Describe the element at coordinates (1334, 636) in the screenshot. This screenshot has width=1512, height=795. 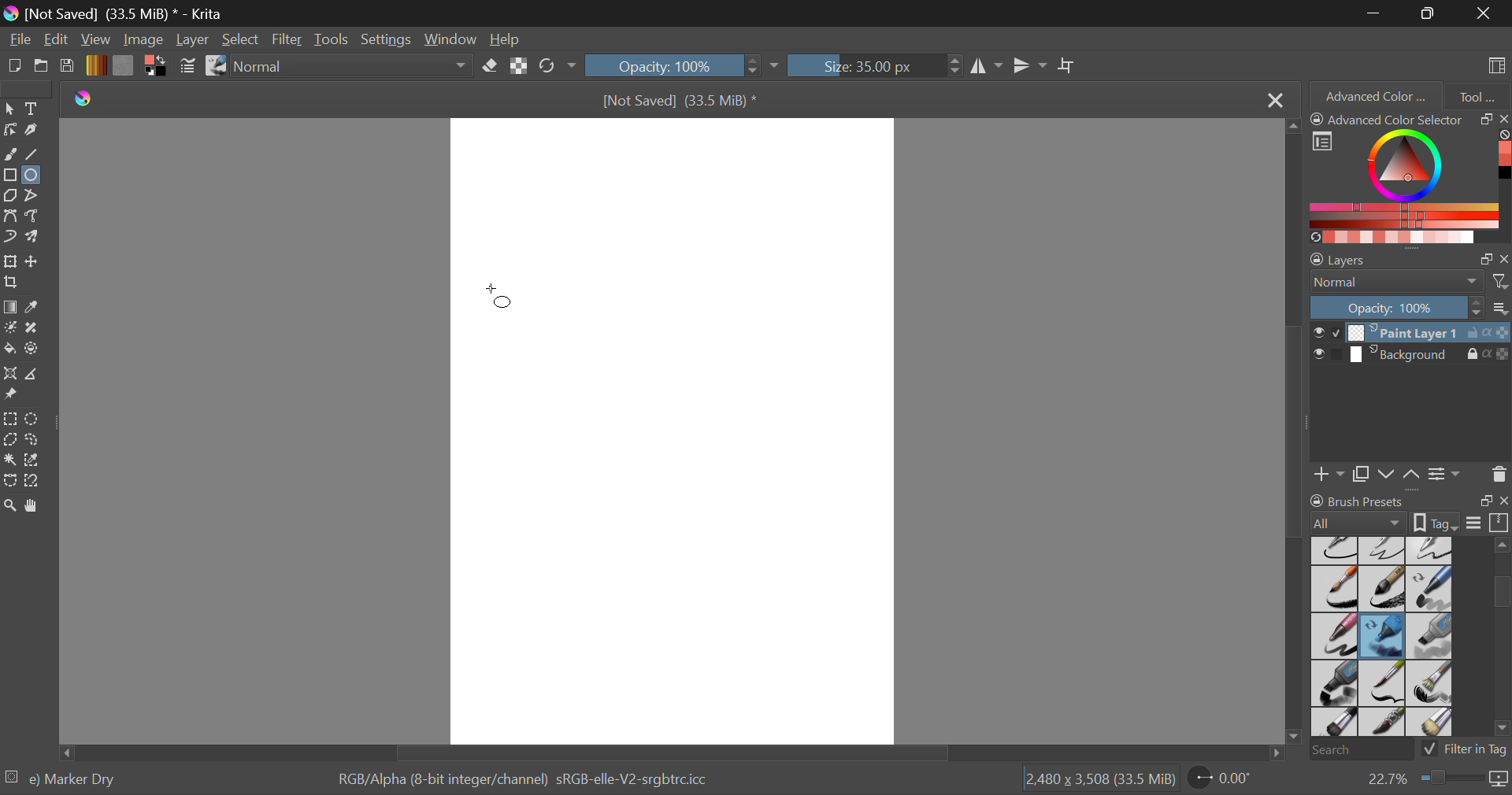
I see `Marker Smooth` at that location.